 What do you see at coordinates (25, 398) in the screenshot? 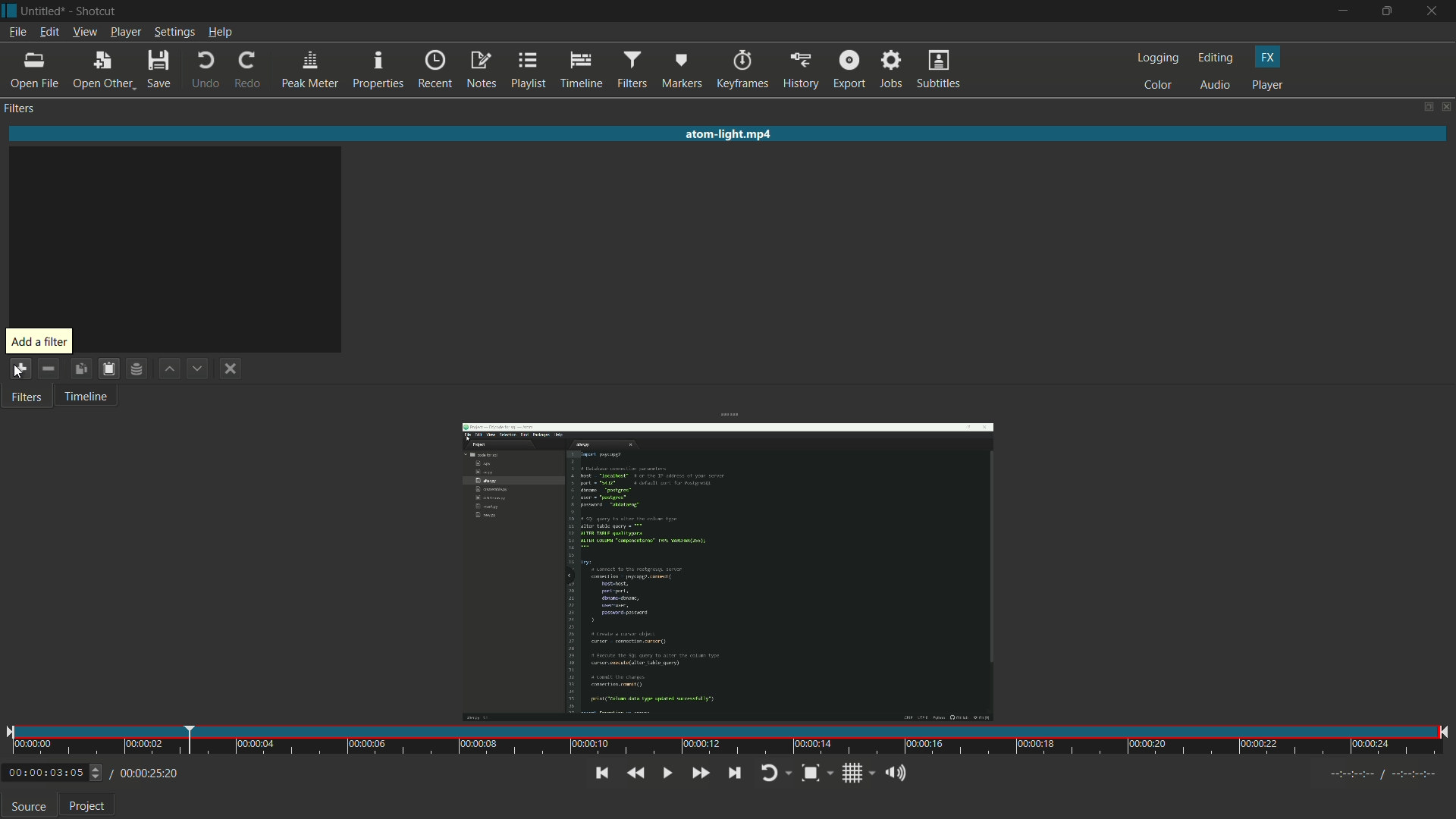
I see `filters` at bounding box center [25, 398].